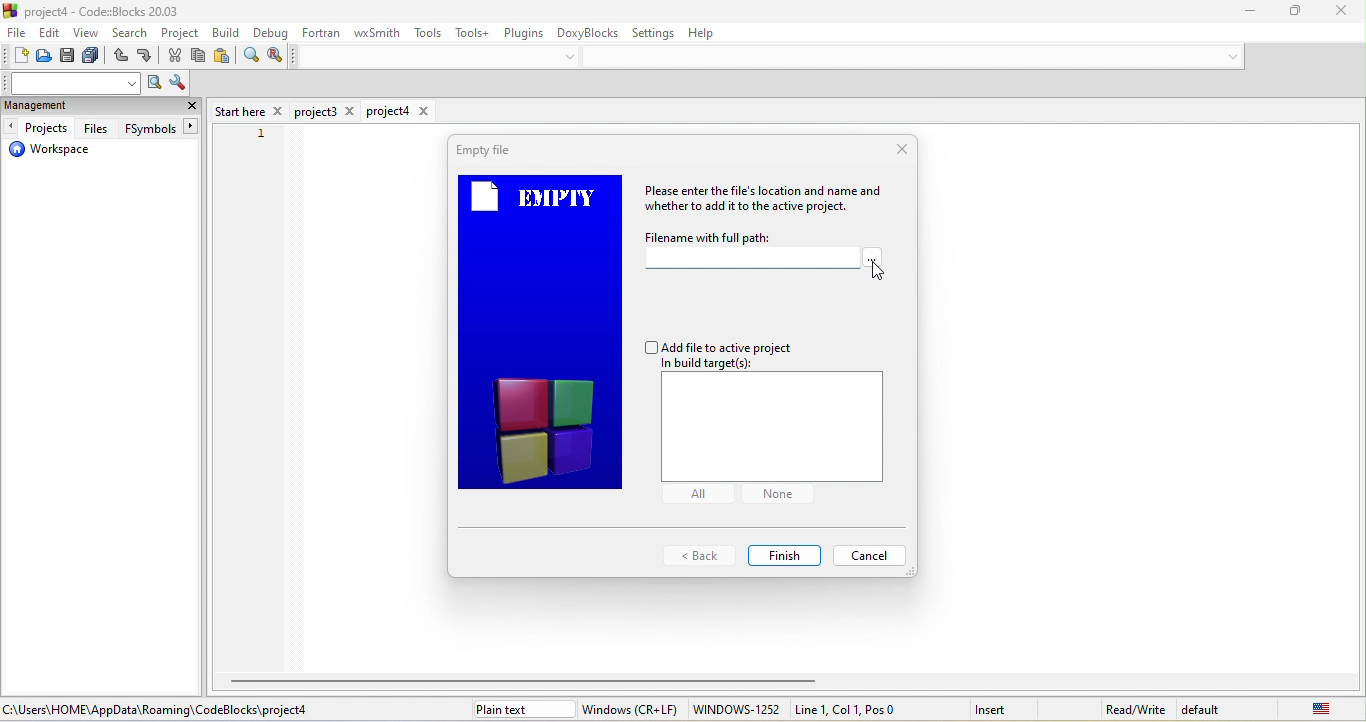 The image size is (1366, 722). What do you see at coordinates (154, 84) in the screenshot?
I see `run search` at bounding box center [154, 84].